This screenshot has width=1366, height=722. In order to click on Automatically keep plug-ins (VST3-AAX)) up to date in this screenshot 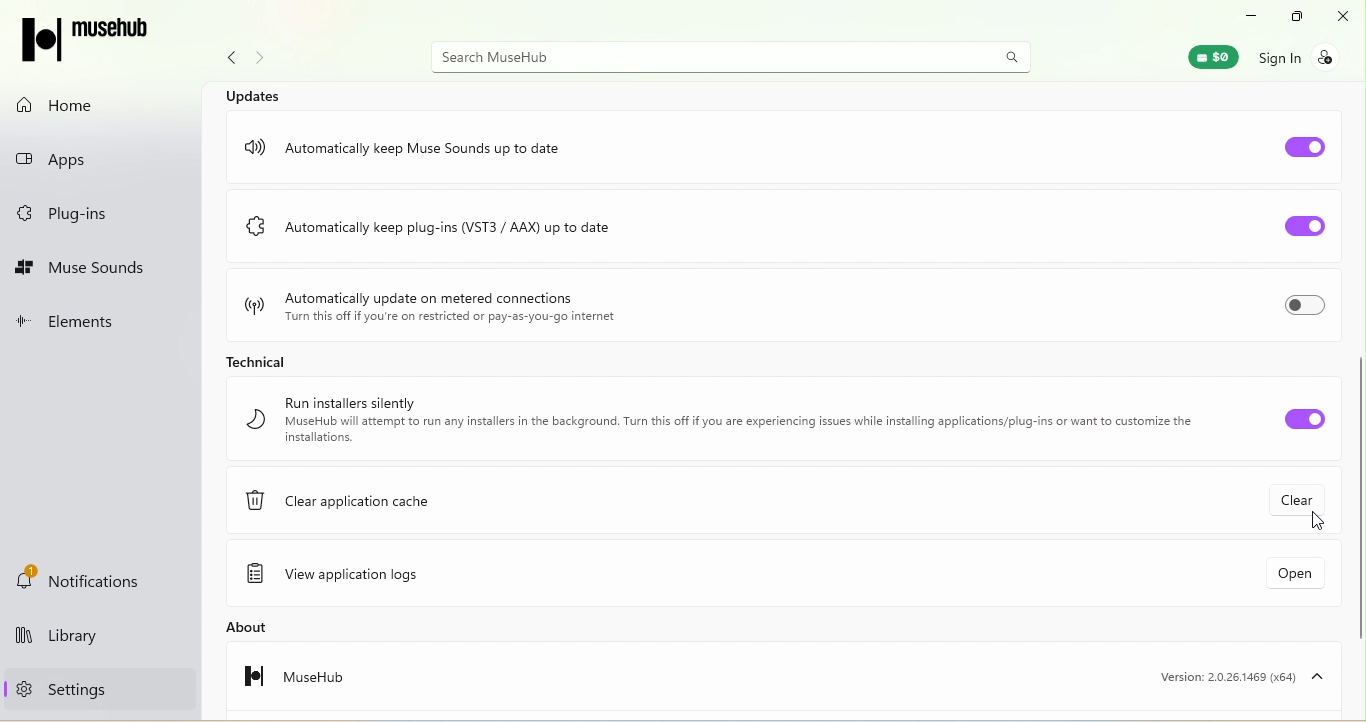, I will do `click(482, 232)`.